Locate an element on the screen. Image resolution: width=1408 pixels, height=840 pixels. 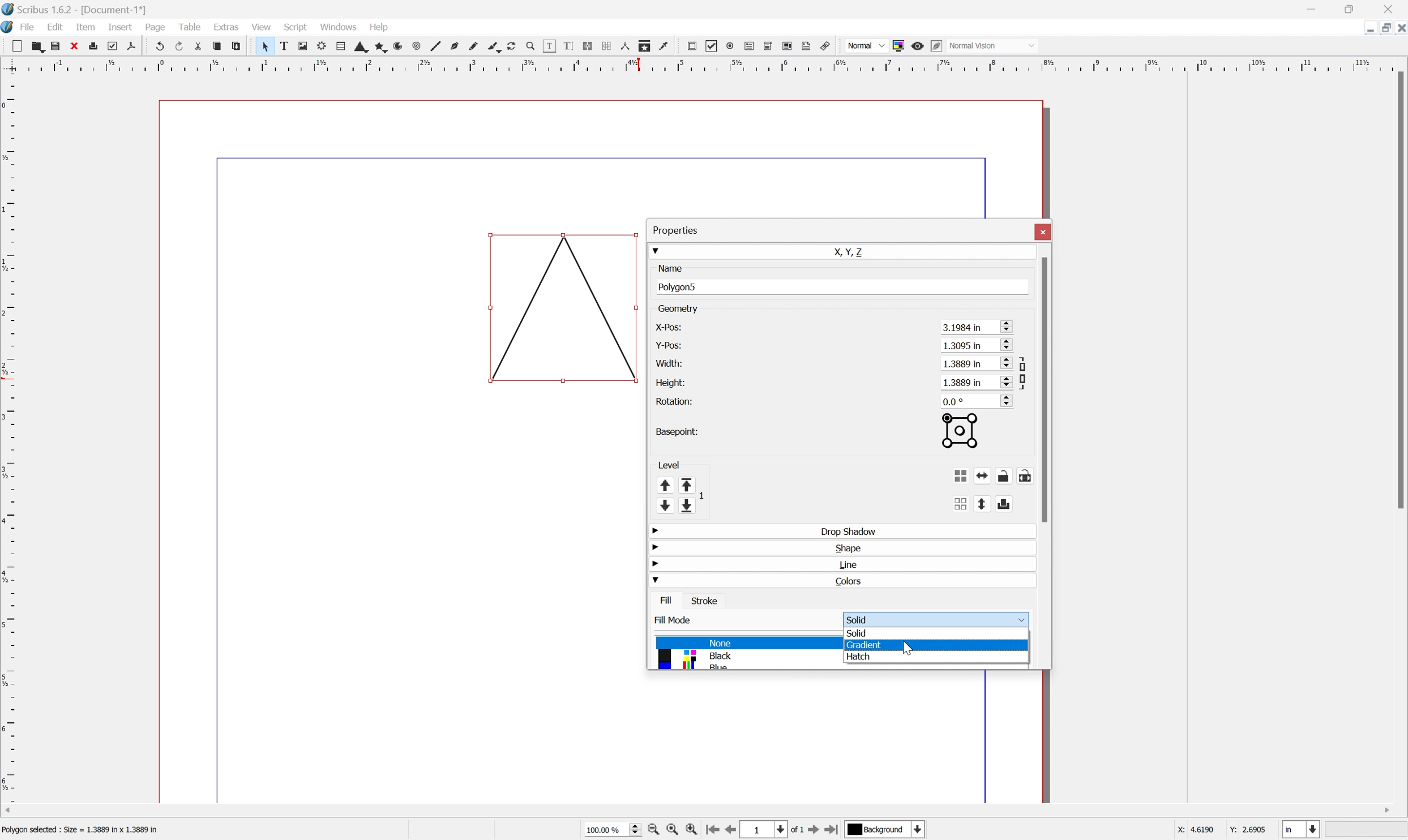
Drop Down is located at coordinates (657, 532).